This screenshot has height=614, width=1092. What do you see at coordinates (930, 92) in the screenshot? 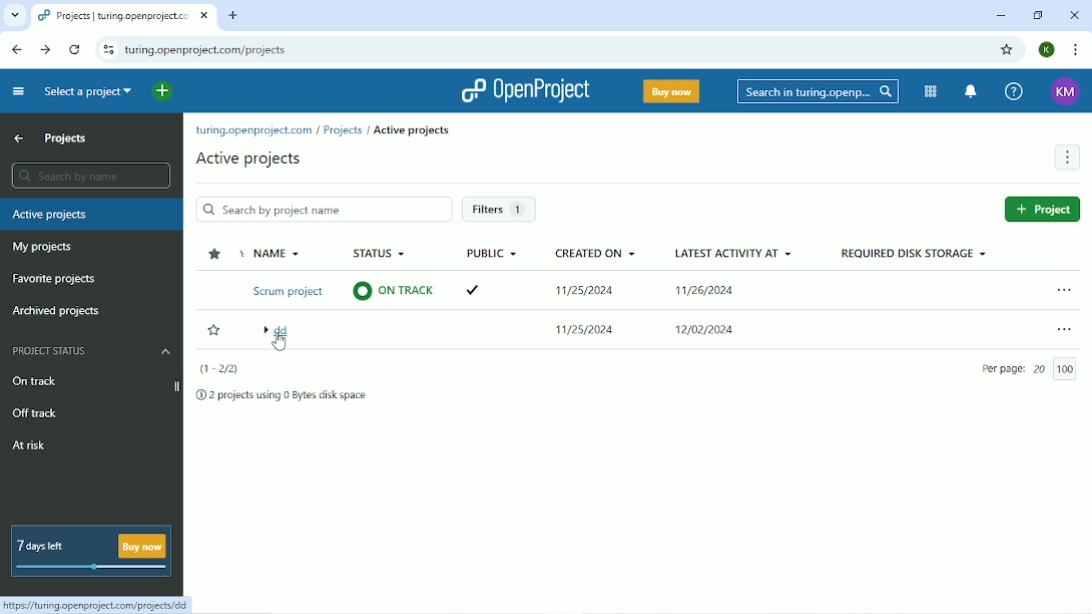
I see `Modules` at bounding box center [930, 92].